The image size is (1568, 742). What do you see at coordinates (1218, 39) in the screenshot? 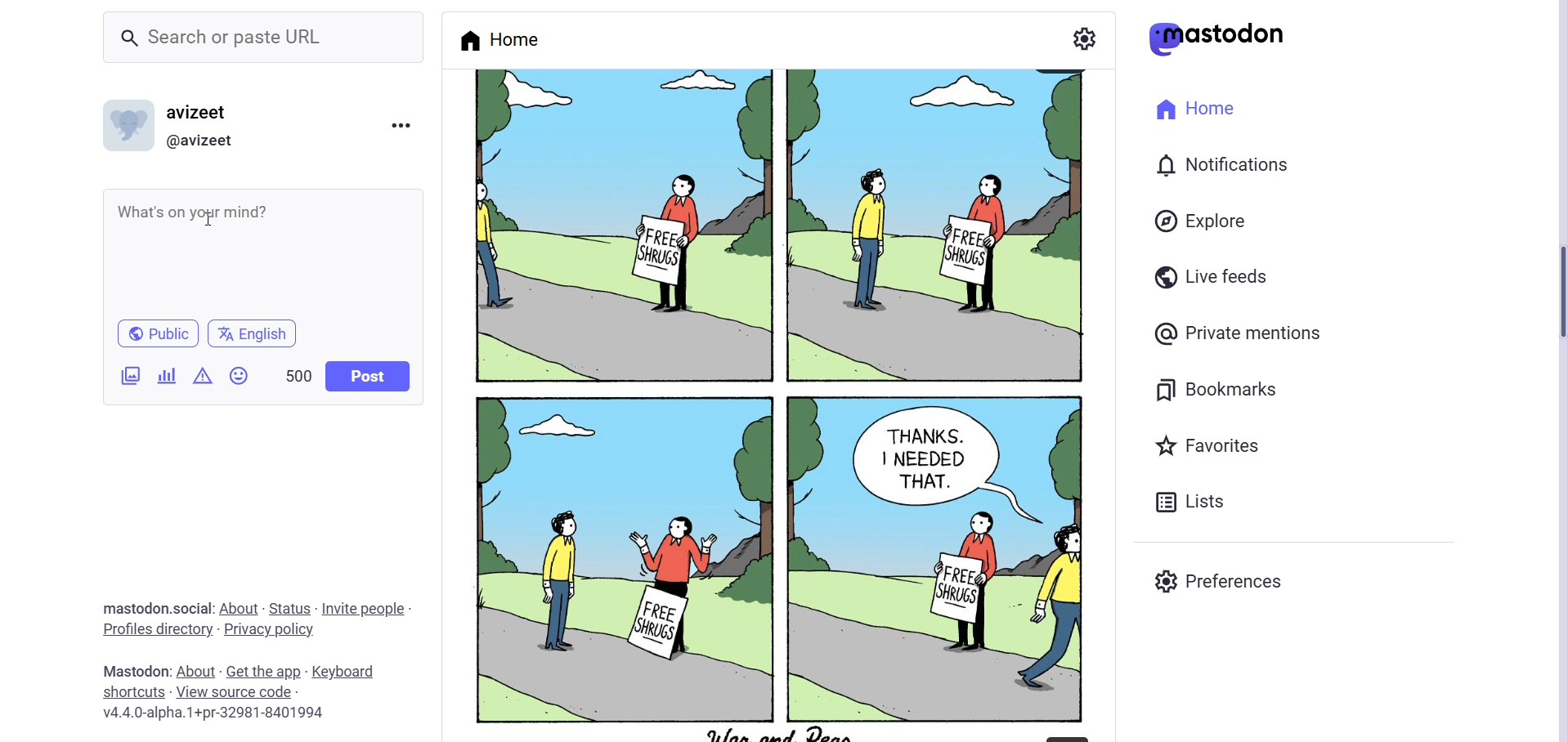
I see `Logo` at bounding box center [1218, 39].